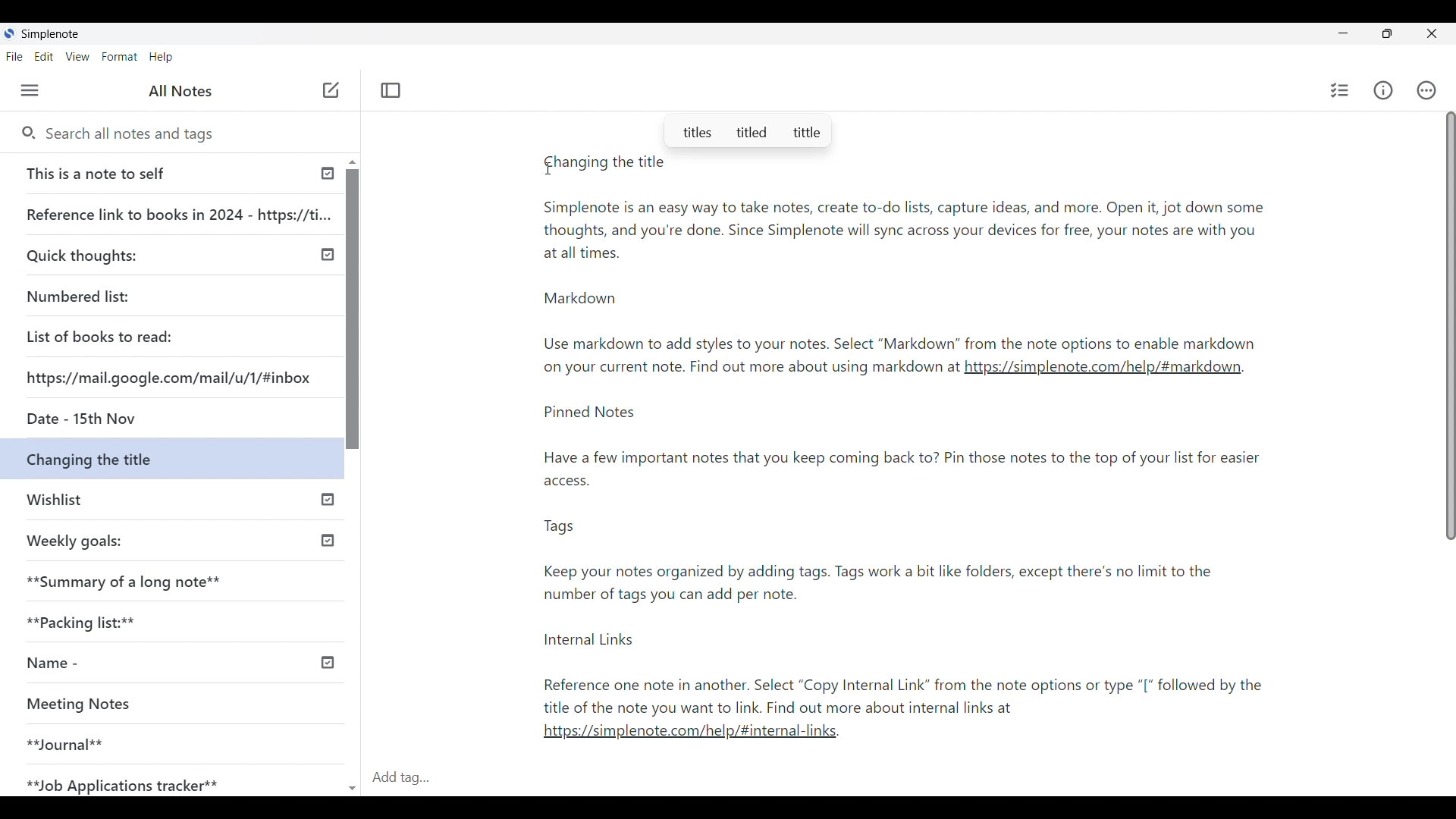  I want to click on Actions, so click(1427, 90).